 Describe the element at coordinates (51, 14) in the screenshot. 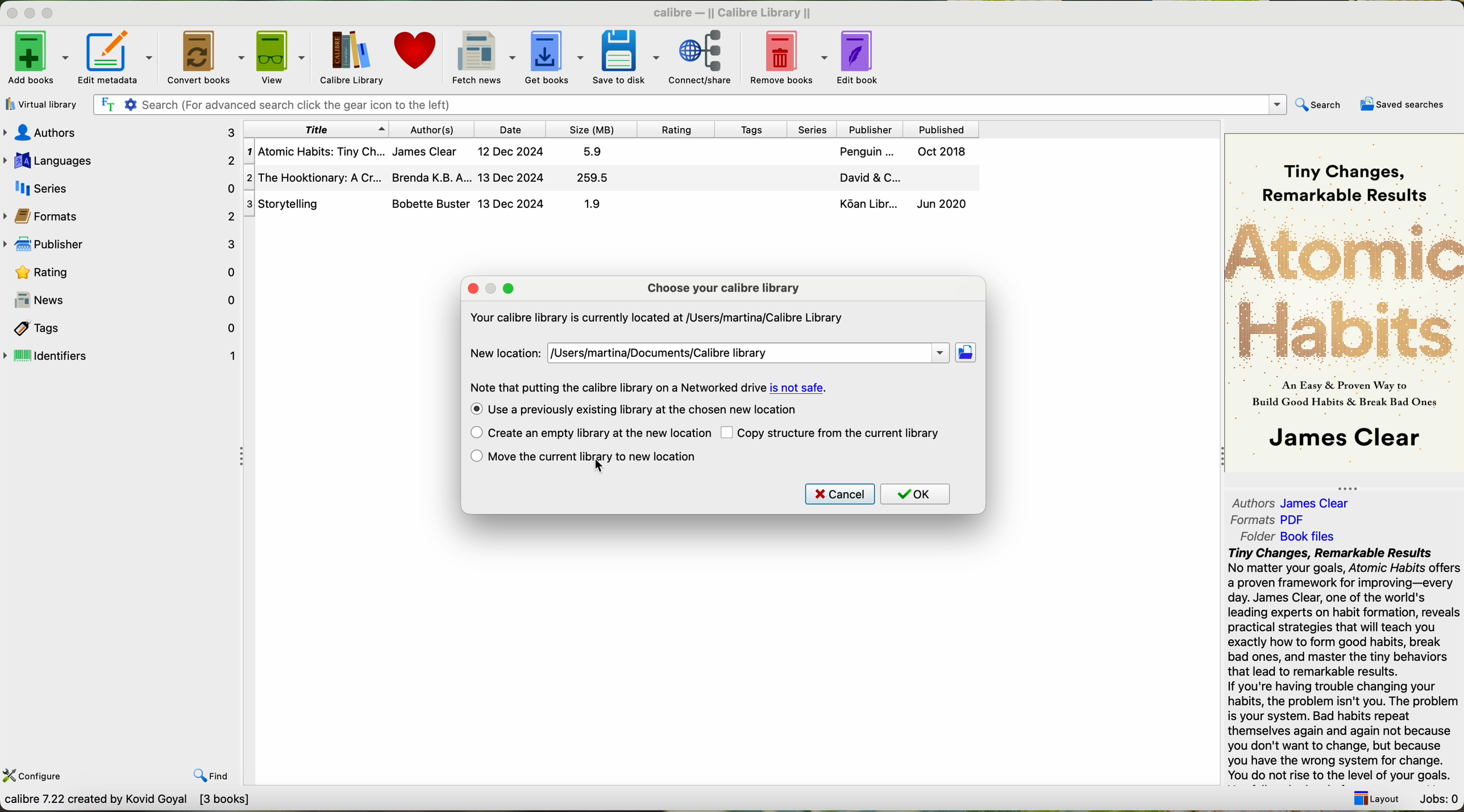

I see `maximize window` at that location.